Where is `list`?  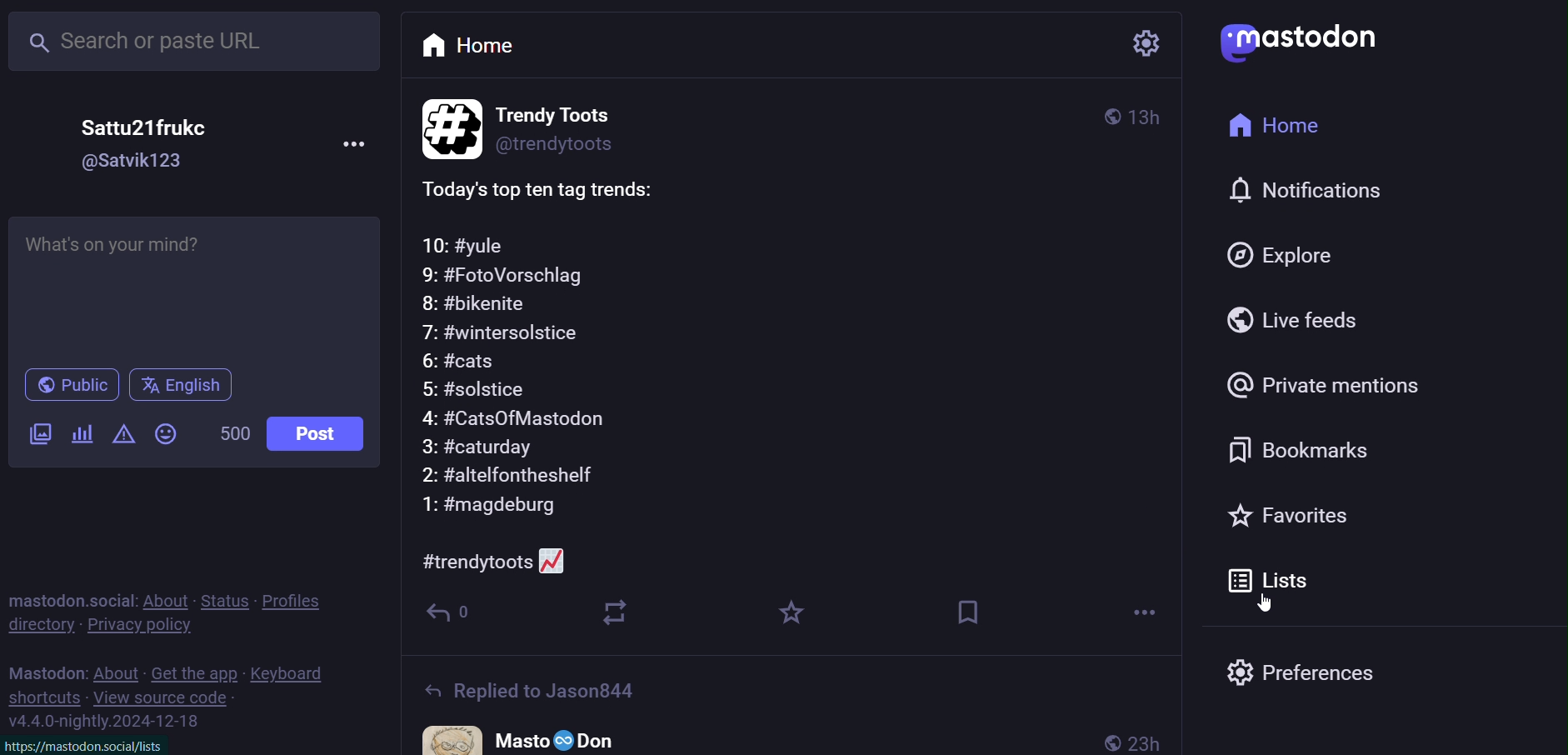
list is located at coordinates (1270, 579).